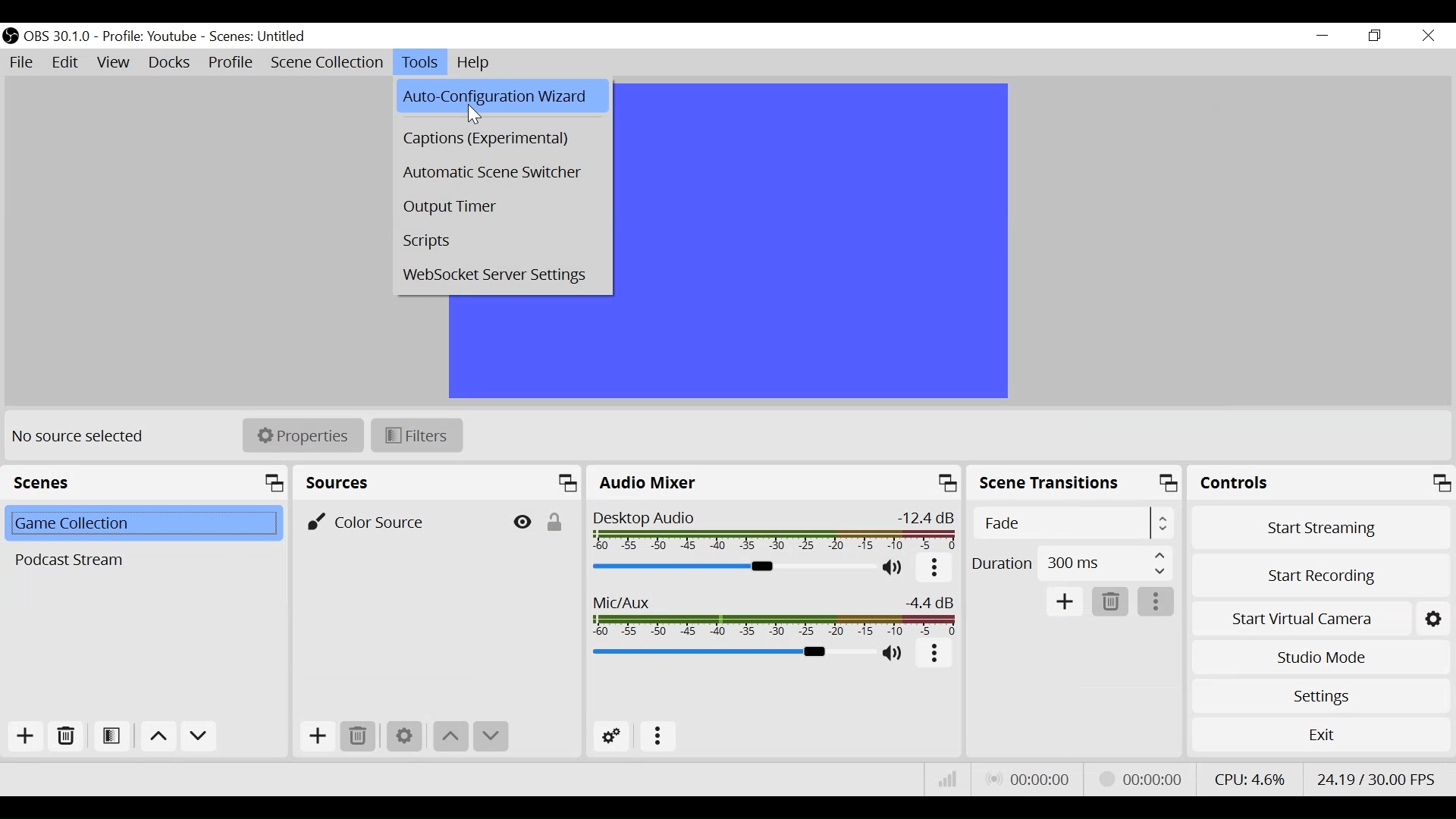 The image size is (1456, 819). What do you see at coordinates (477, 63) in the screenshot?
I see `Help` at bounding box center [477, 63].